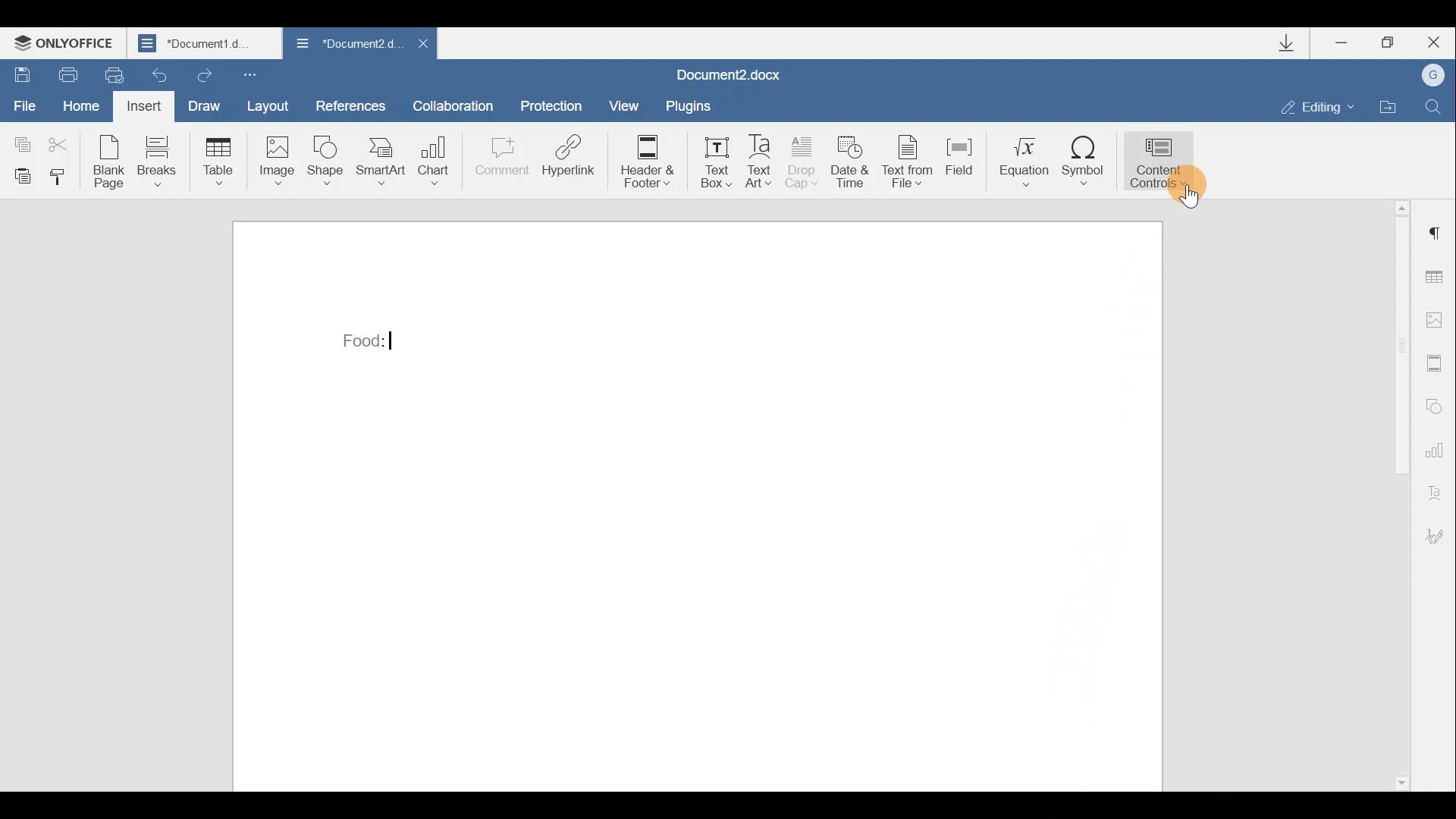  What do you see at coordinates (565, 158) in the screenshot?
I see `Hyperlink` at bounding box center [565, 158].